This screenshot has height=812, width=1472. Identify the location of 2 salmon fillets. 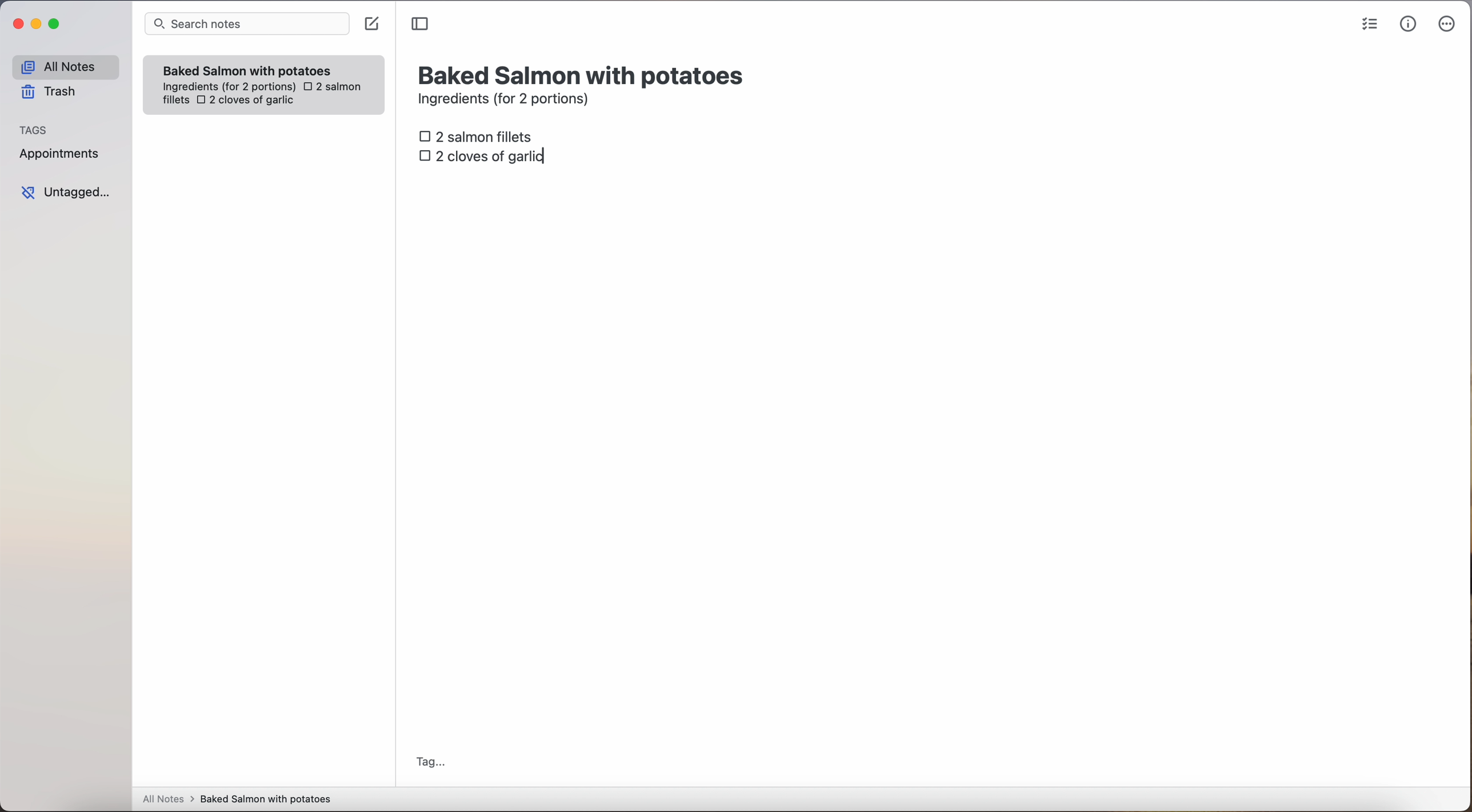
(479, 135).